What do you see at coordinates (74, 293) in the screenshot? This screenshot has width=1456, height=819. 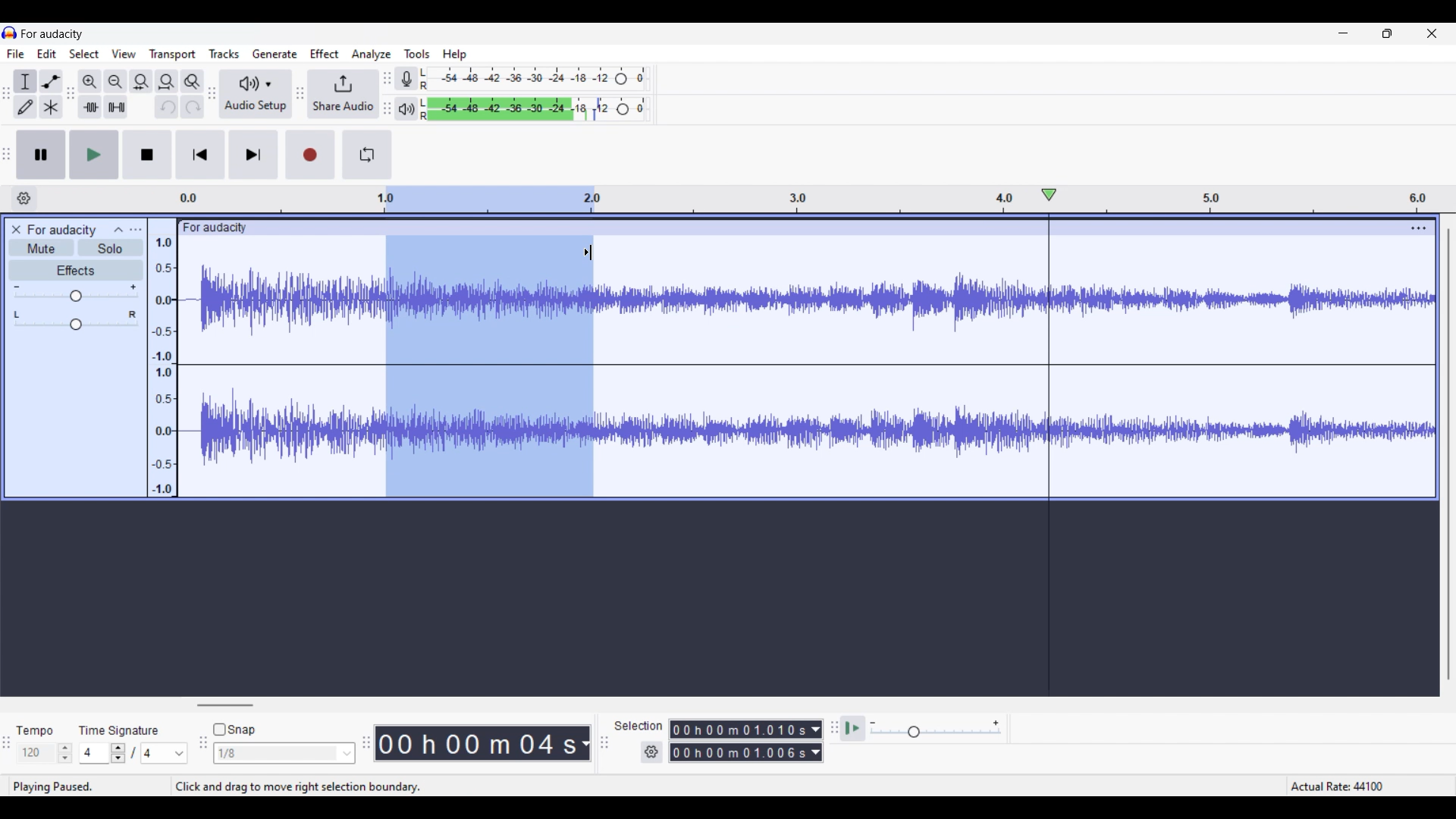 I see `Volume scale` at bounding box center [74, 293].